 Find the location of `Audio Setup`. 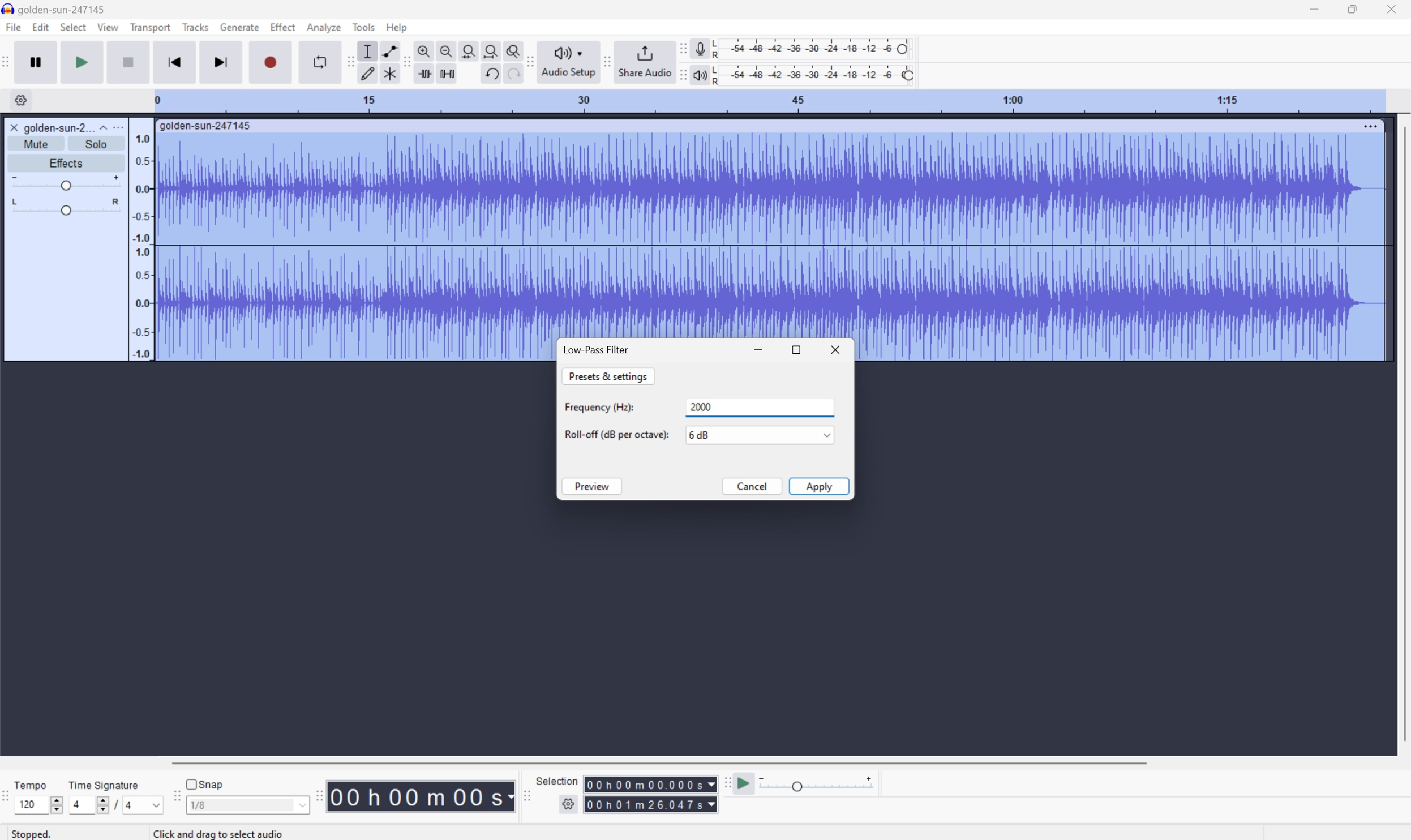

Audio Setup is located at coordinates (568, 62).